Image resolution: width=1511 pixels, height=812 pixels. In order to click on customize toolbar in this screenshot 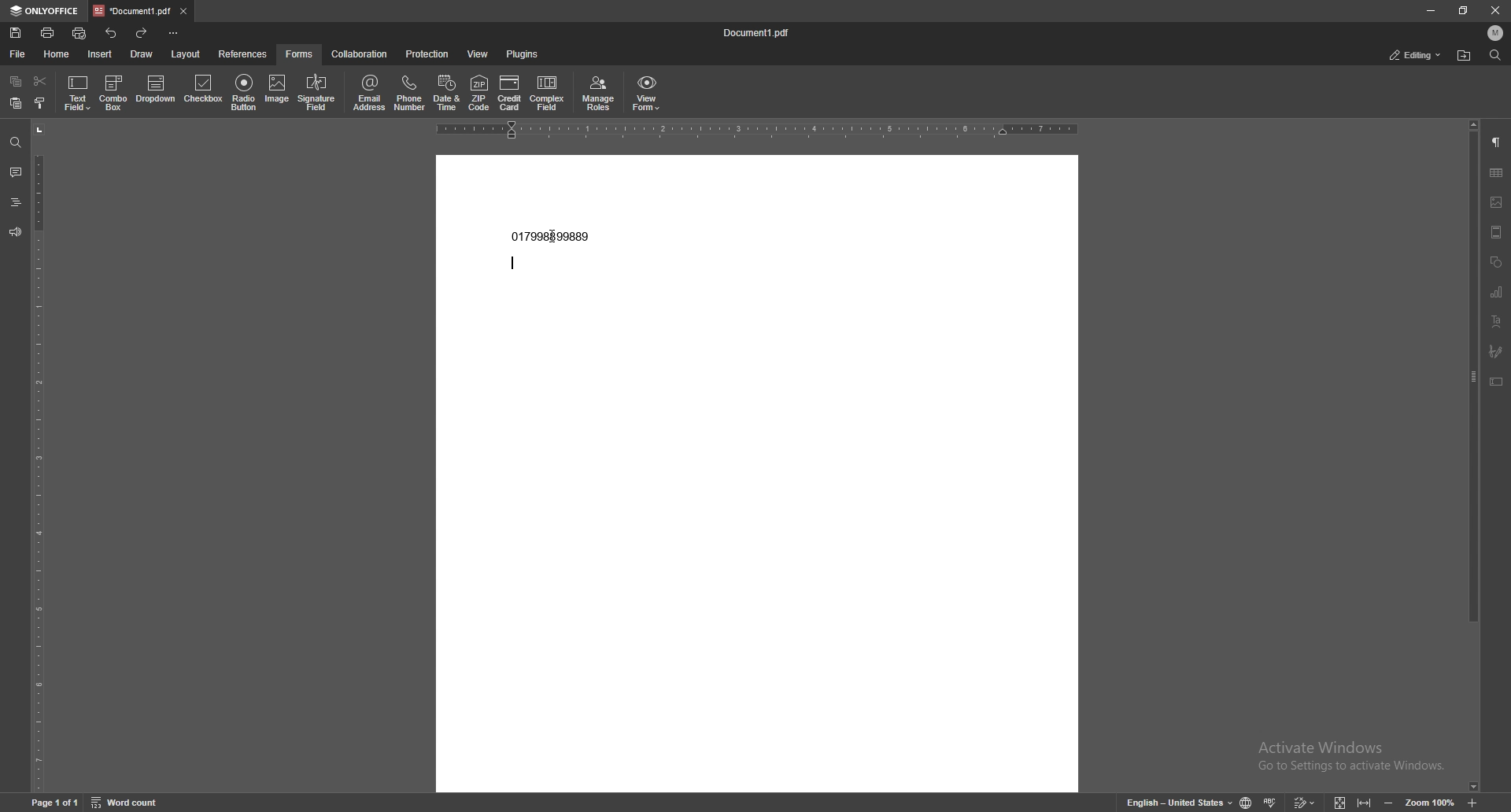, I will do `click(173, 34)`.